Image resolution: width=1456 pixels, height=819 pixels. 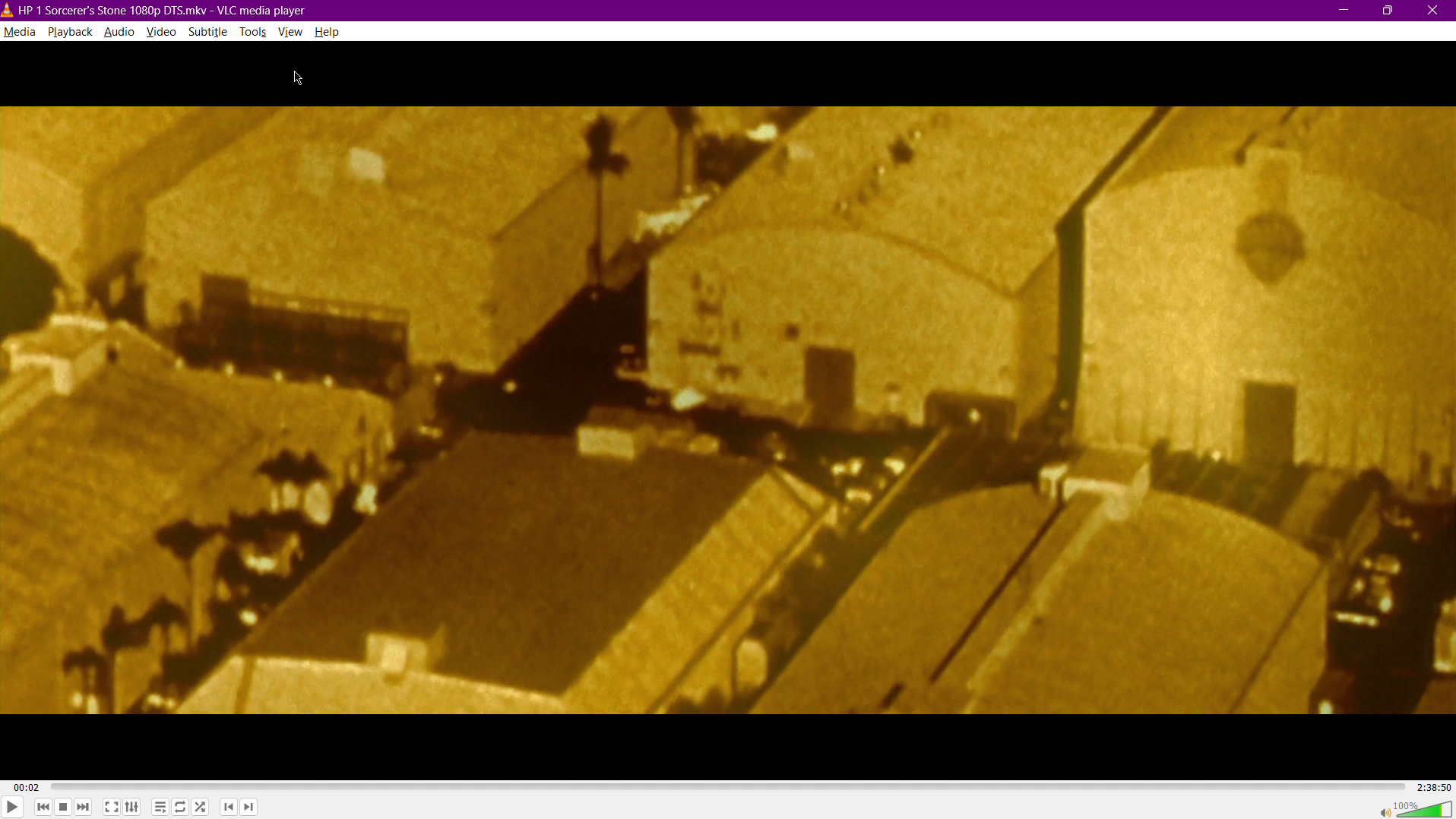 What do you see at coordinates (43, 808) in the screenshot?
I see `Skip Back` at bounding box center [43, 808].